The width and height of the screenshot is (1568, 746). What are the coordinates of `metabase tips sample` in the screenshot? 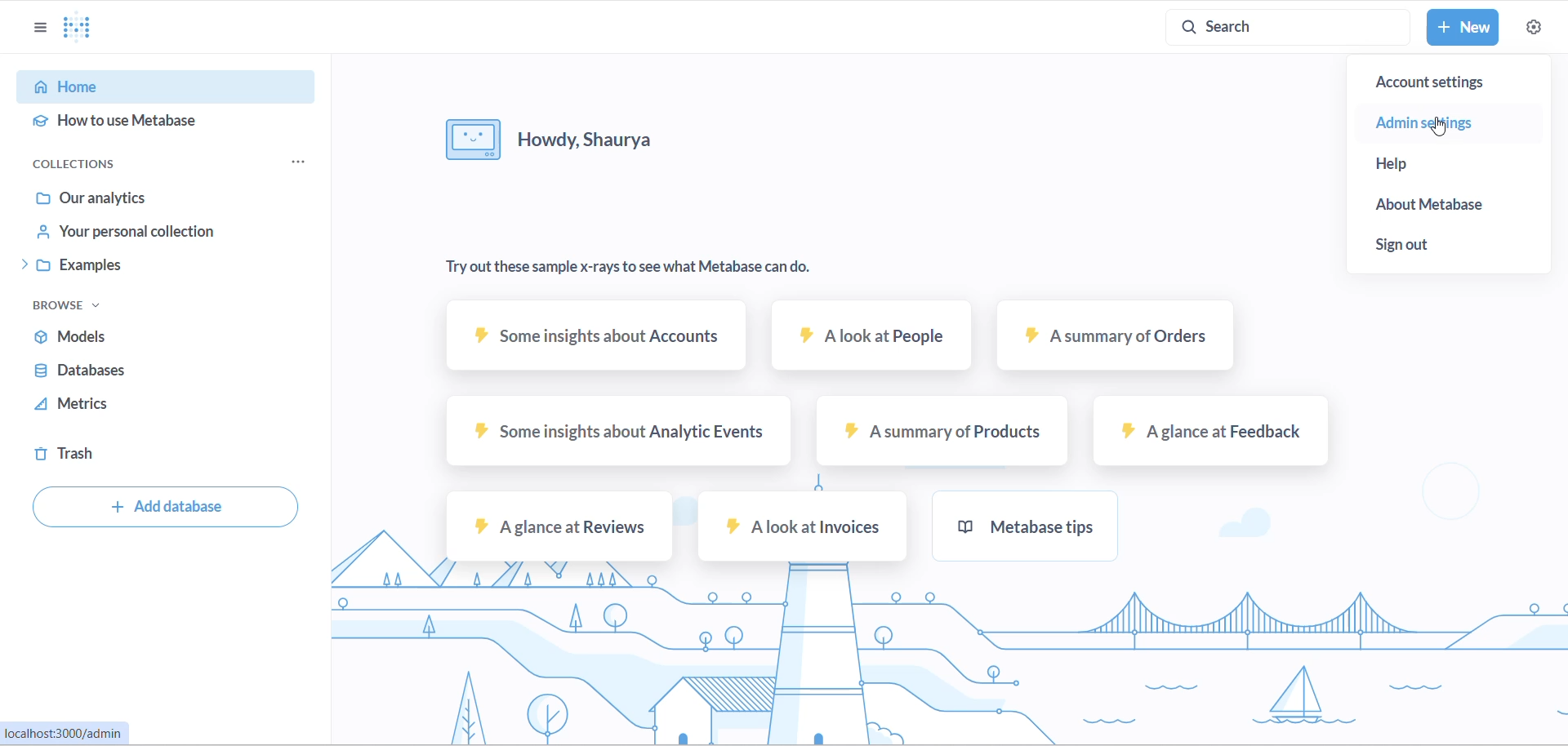 It's located at (1026, 526).